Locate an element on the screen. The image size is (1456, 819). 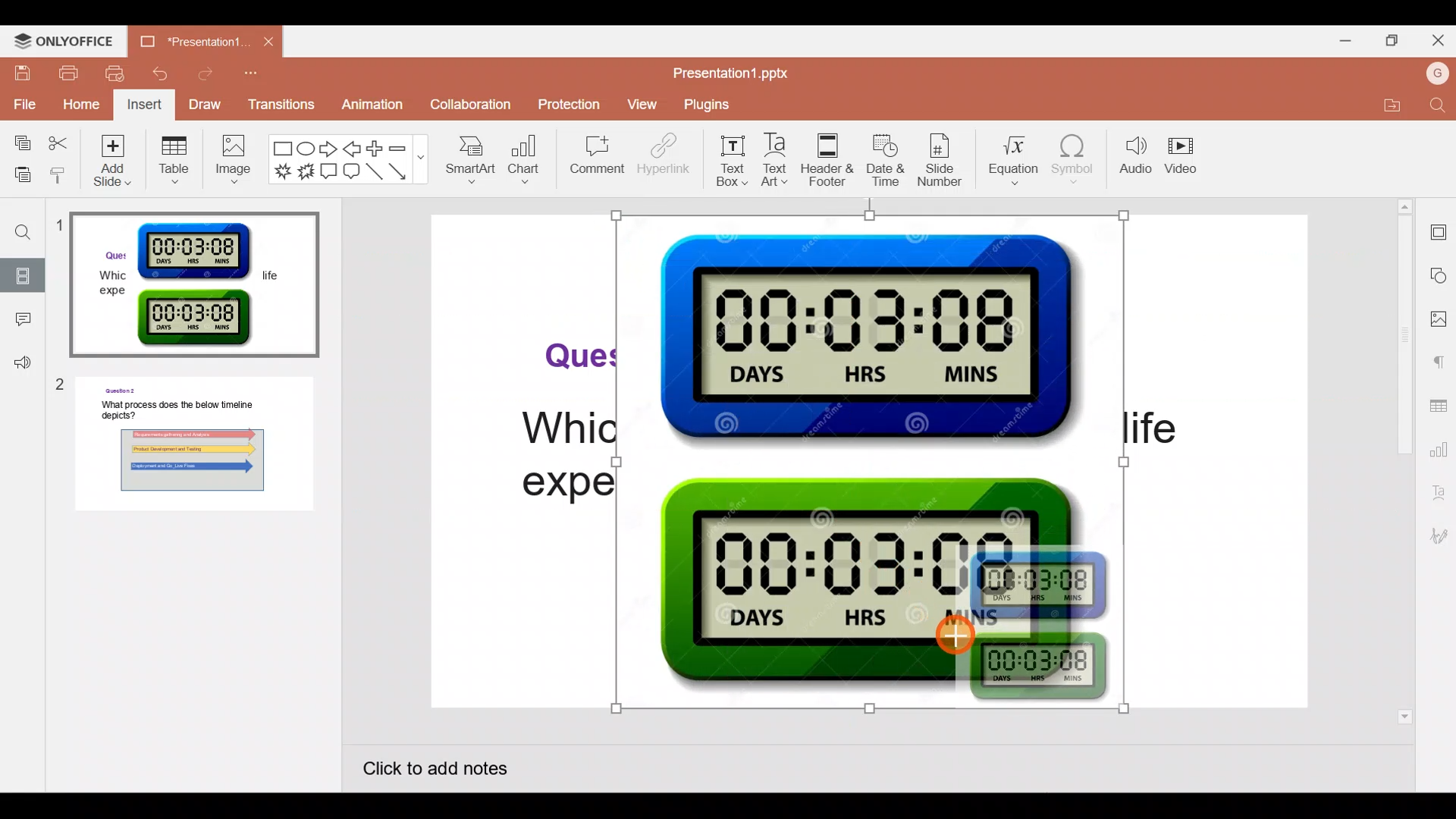
Protection is located at coordinates (569, 104).